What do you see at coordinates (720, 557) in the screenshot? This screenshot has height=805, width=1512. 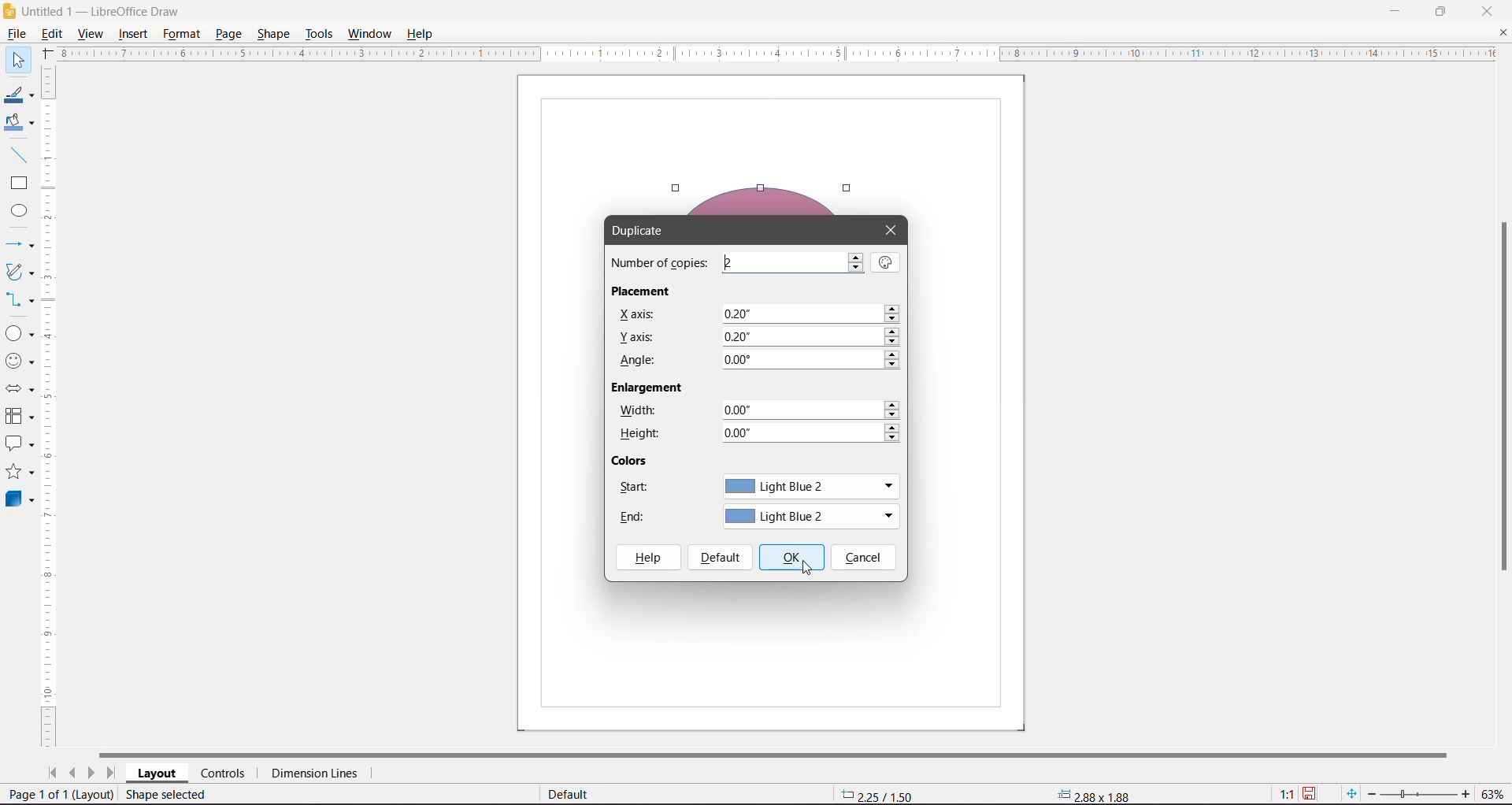 I see `Default` at bounding box center [720, 557].